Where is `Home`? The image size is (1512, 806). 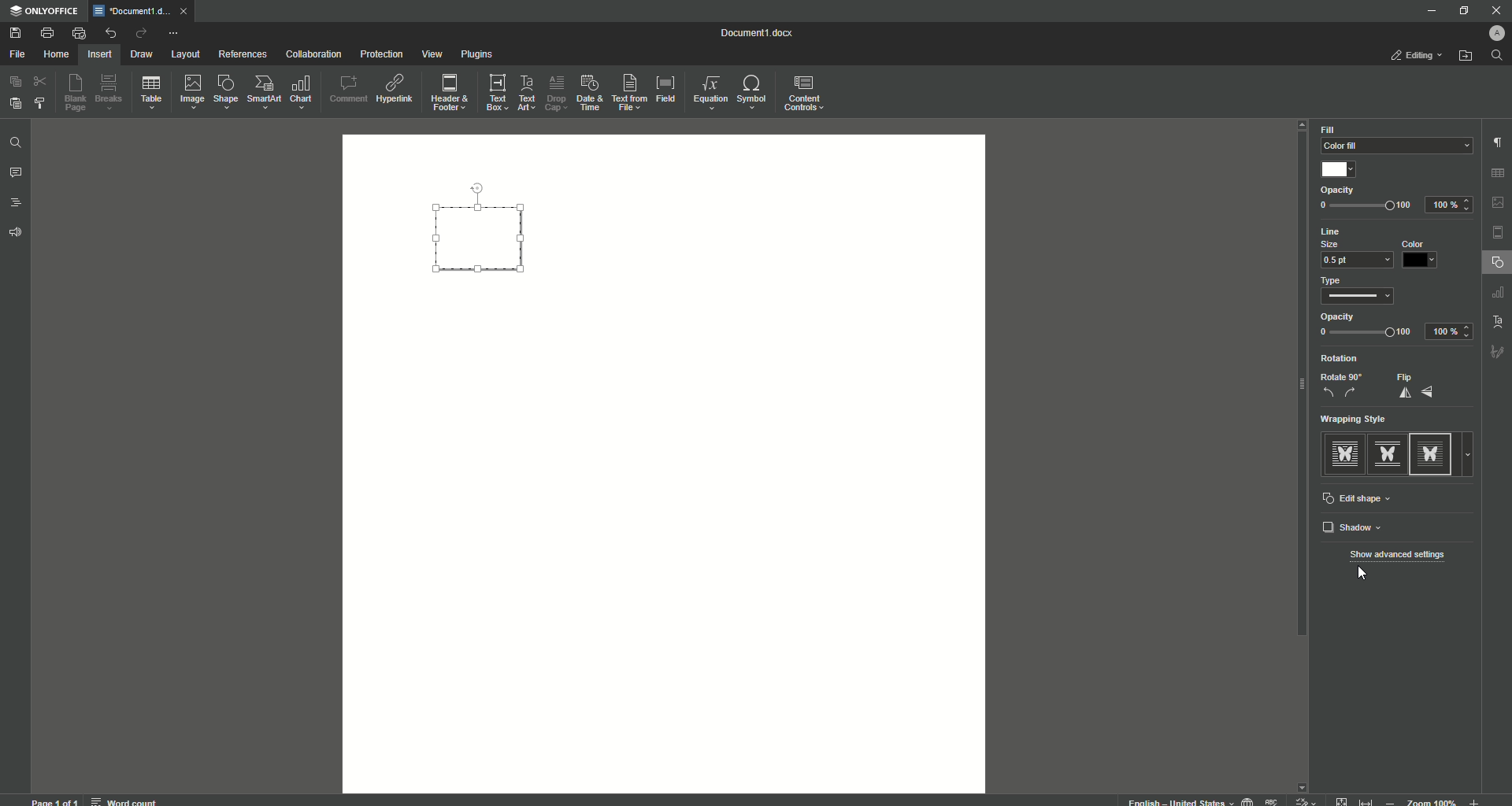
Home is located at coordinates (56, 55).